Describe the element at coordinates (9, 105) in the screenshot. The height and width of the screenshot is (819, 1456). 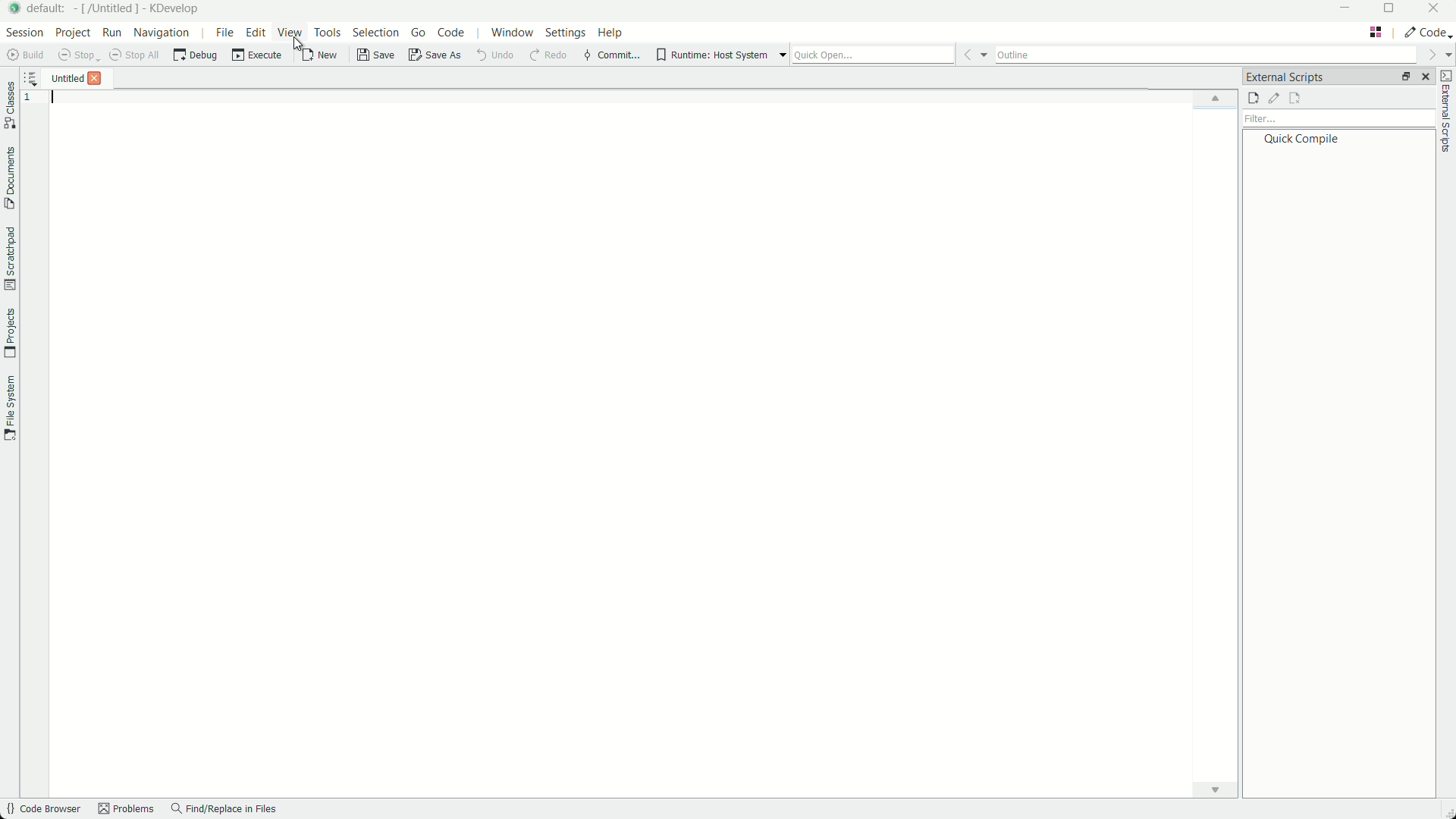
I see `classes` at that location.